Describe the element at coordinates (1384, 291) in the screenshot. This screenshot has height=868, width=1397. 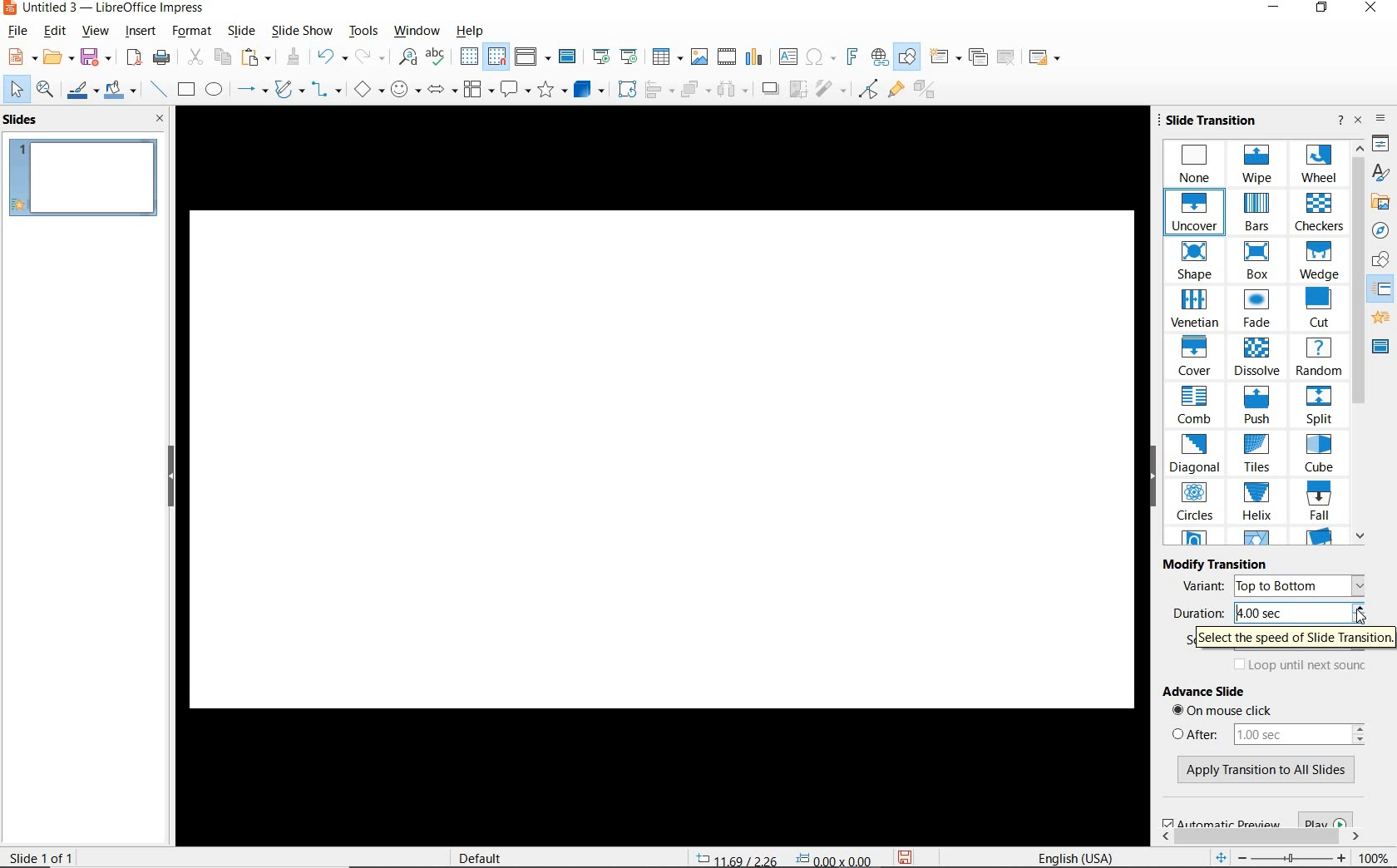
I see `SLIDE TRANSITION` at that location.